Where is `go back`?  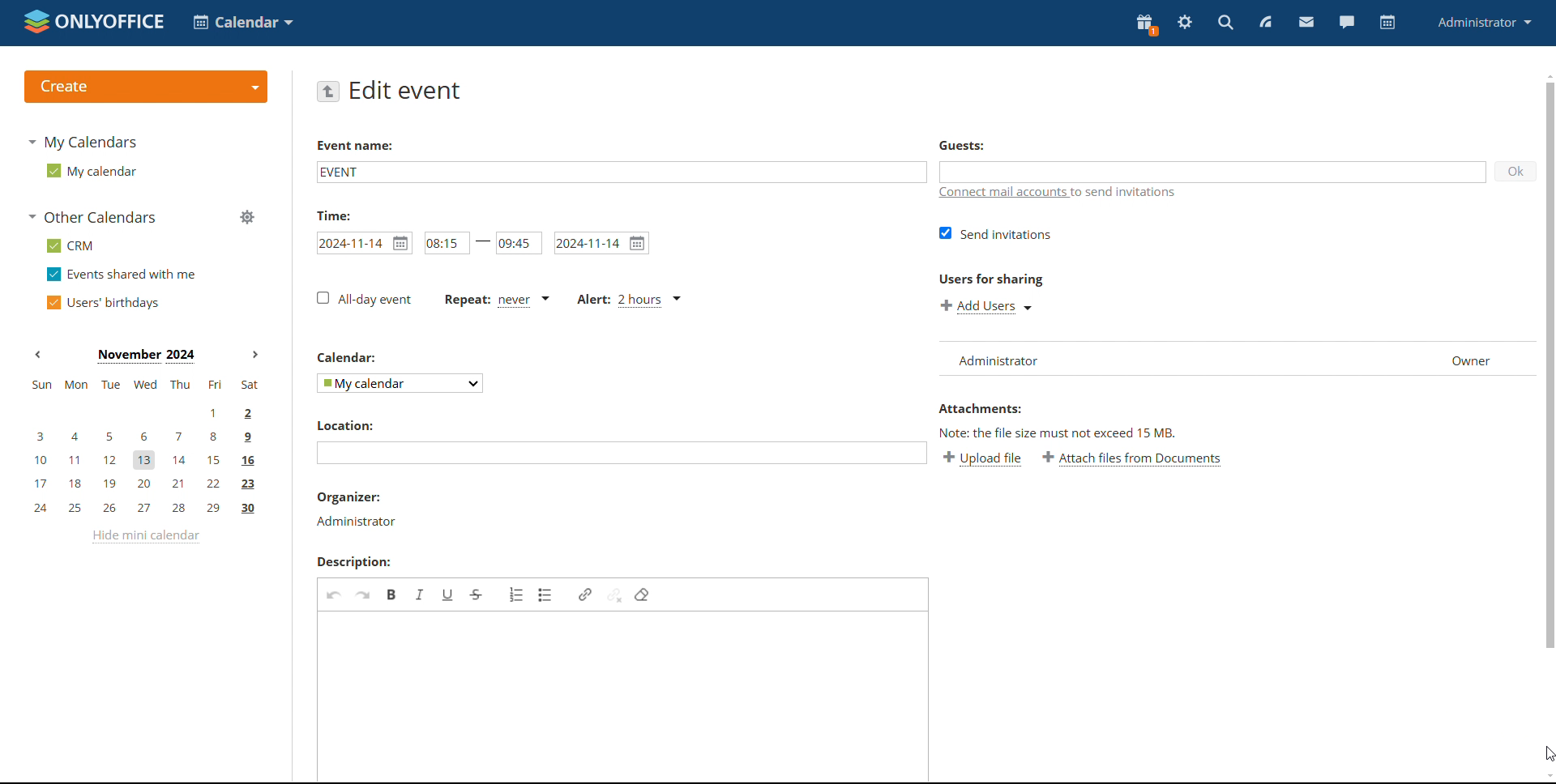 go back is located at coordinates (329, 92).